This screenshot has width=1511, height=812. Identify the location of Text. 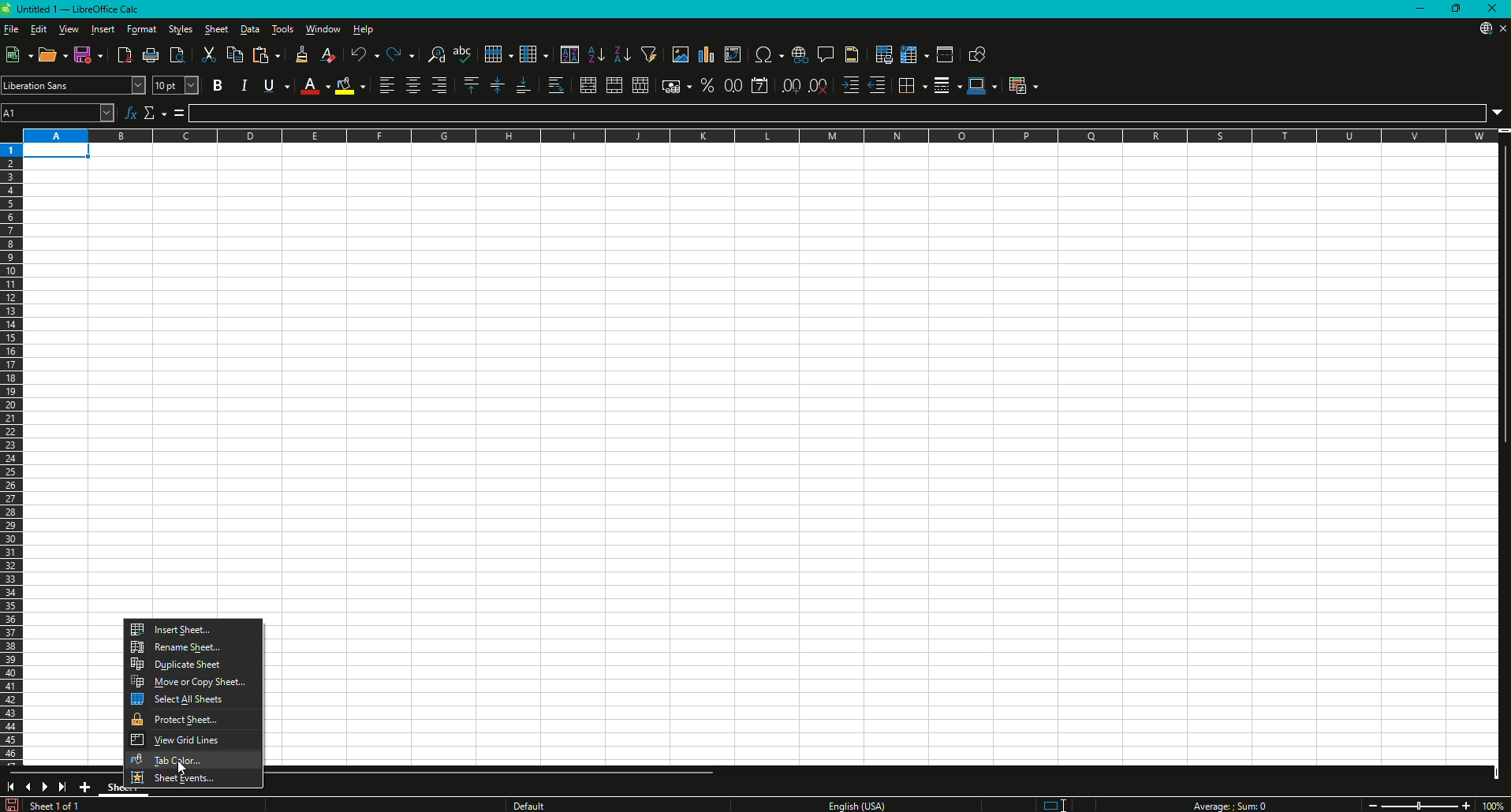
(855, 805).